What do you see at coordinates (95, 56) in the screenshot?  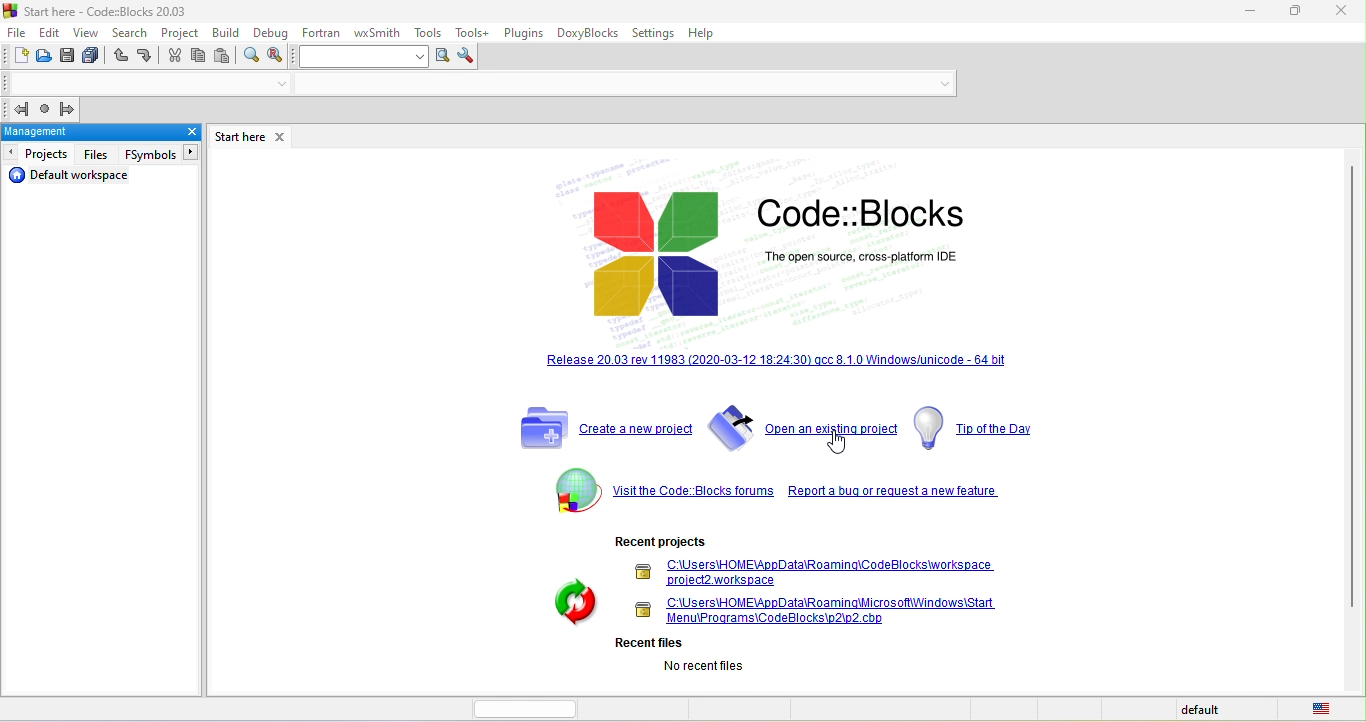 I see `save everything` at bounding box center [95, 56].